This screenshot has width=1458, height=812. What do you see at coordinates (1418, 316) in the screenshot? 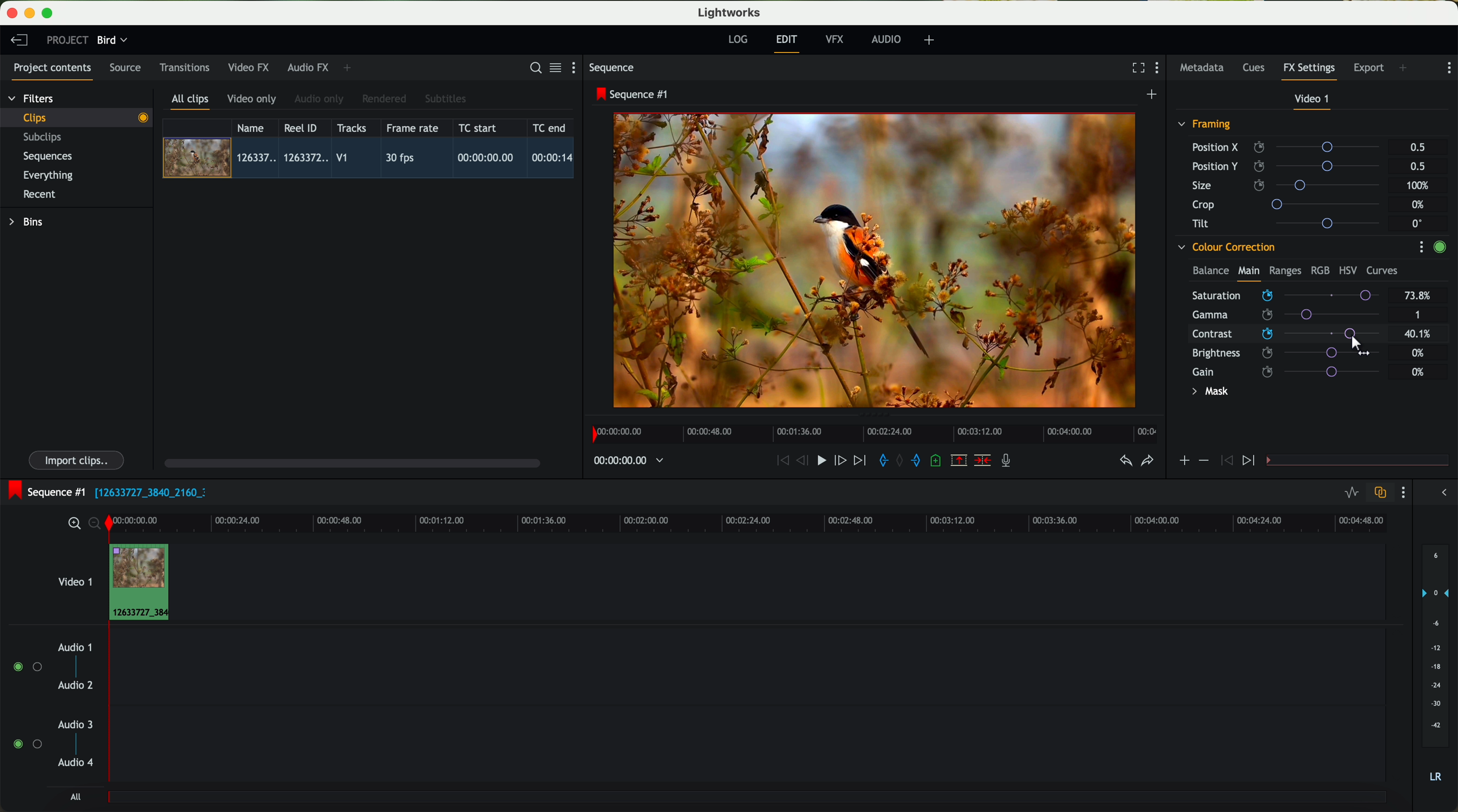
I see `1` at bounding box center [1418, 316].